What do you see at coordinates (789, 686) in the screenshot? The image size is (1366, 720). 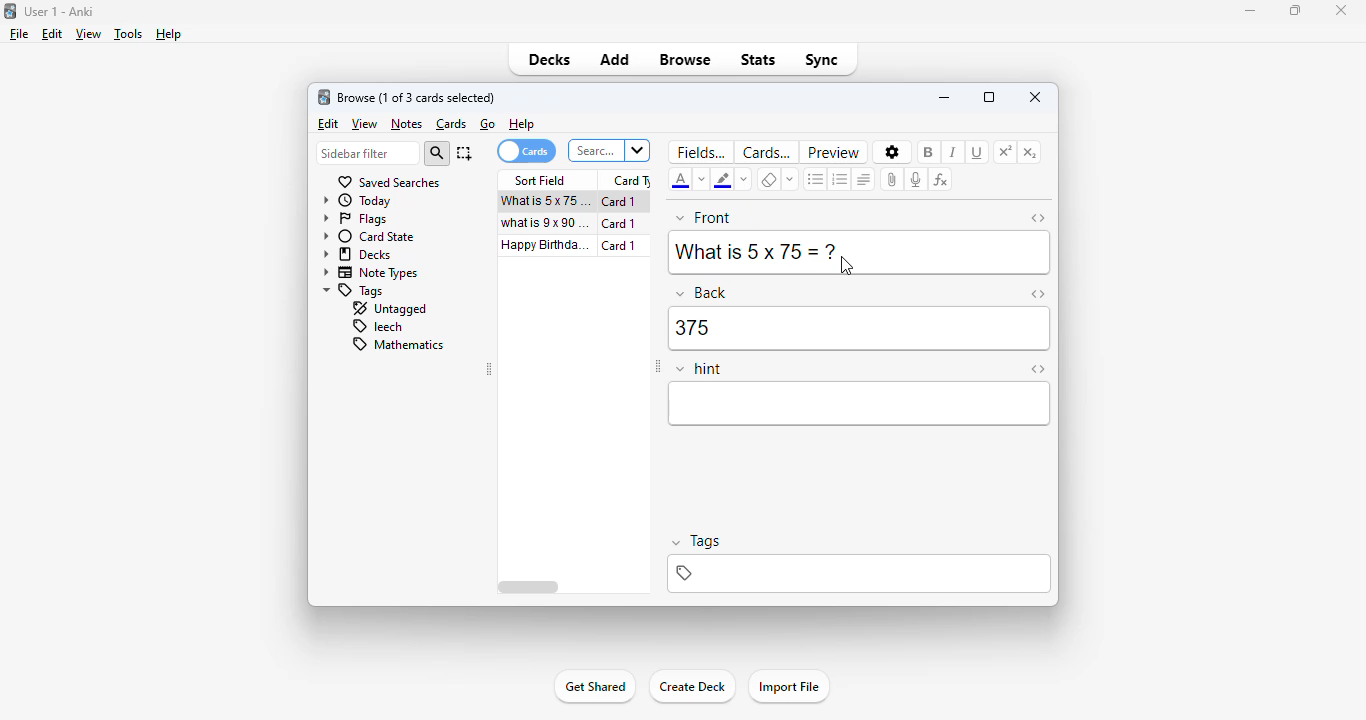 I see `import file` at bounding box center [789, 686].